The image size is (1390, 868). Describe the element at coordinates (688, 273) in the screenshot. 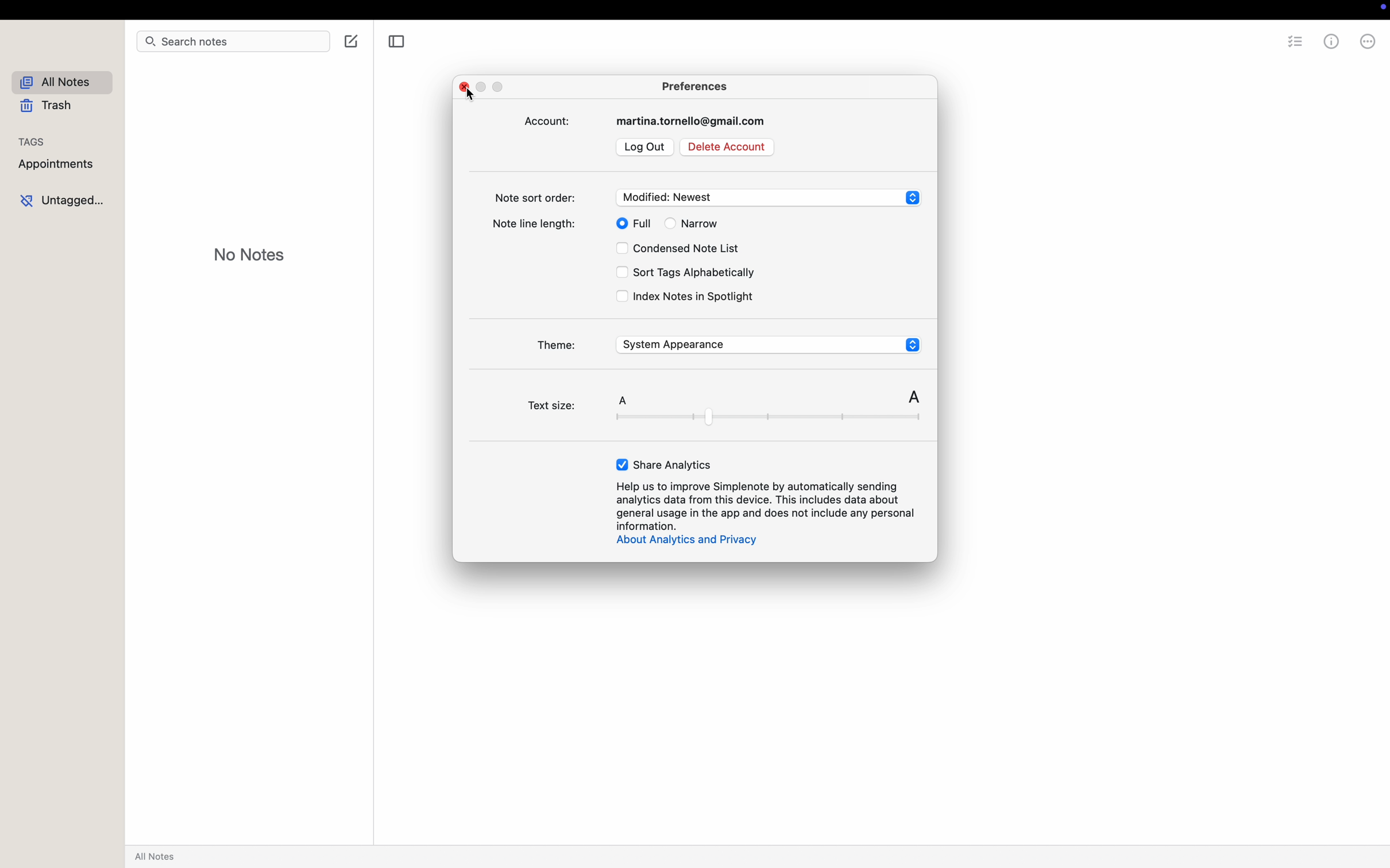

I see `sort tags alphabetically` at that location.